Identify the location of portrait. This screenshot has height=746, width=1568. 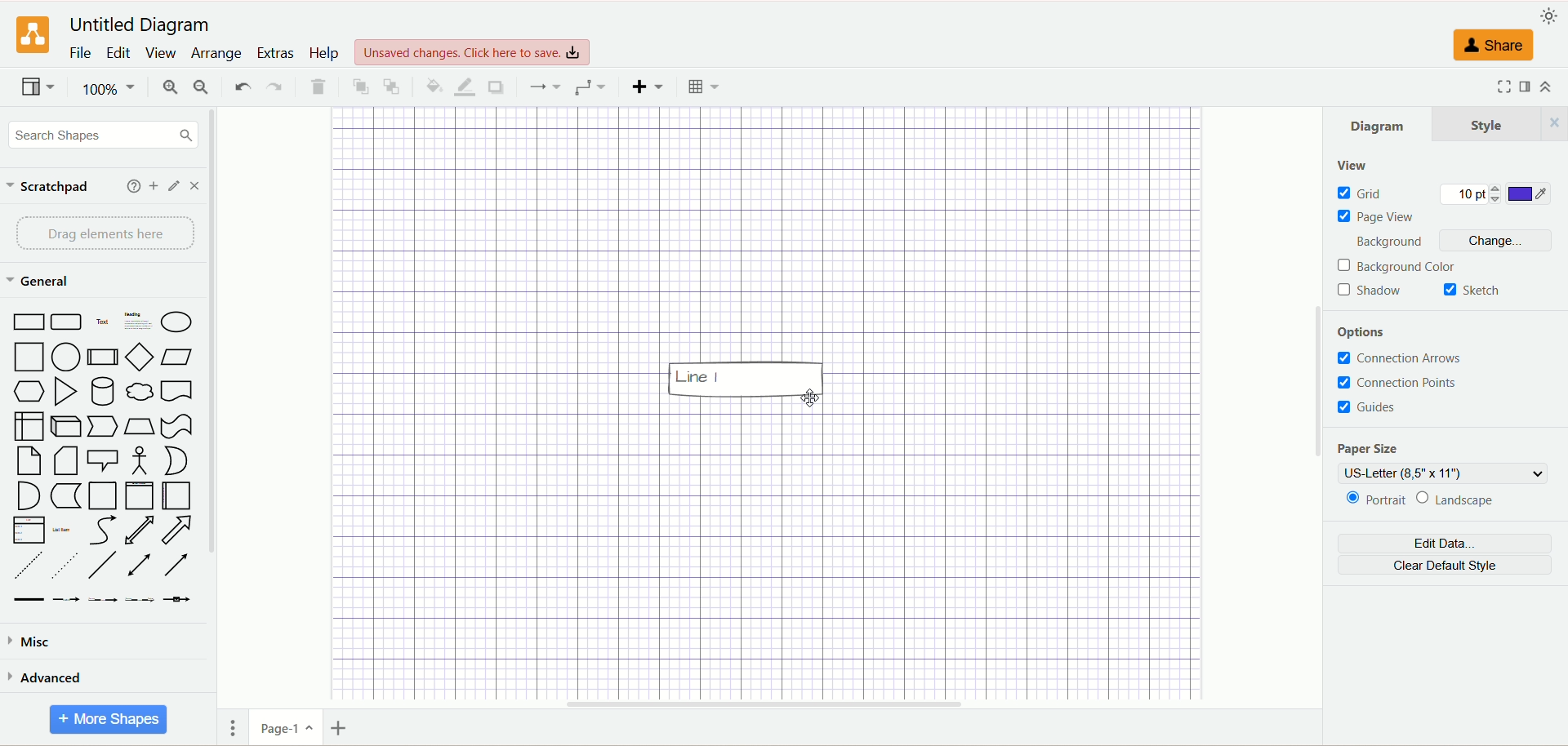
(1378, 500).